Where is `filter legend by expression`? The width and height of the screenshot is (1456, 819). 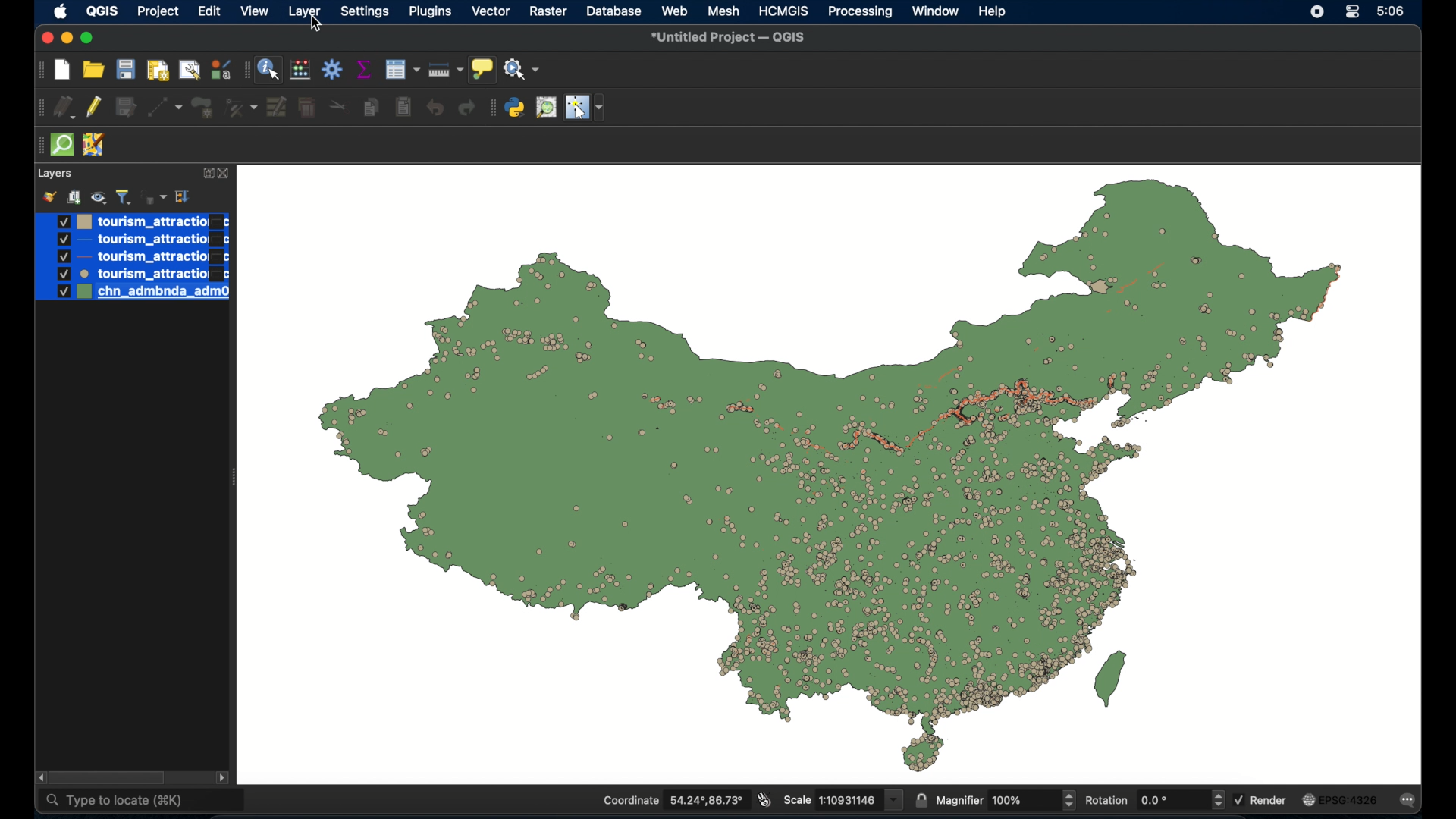 filter legend by expression is located at coordinates (154, 195).